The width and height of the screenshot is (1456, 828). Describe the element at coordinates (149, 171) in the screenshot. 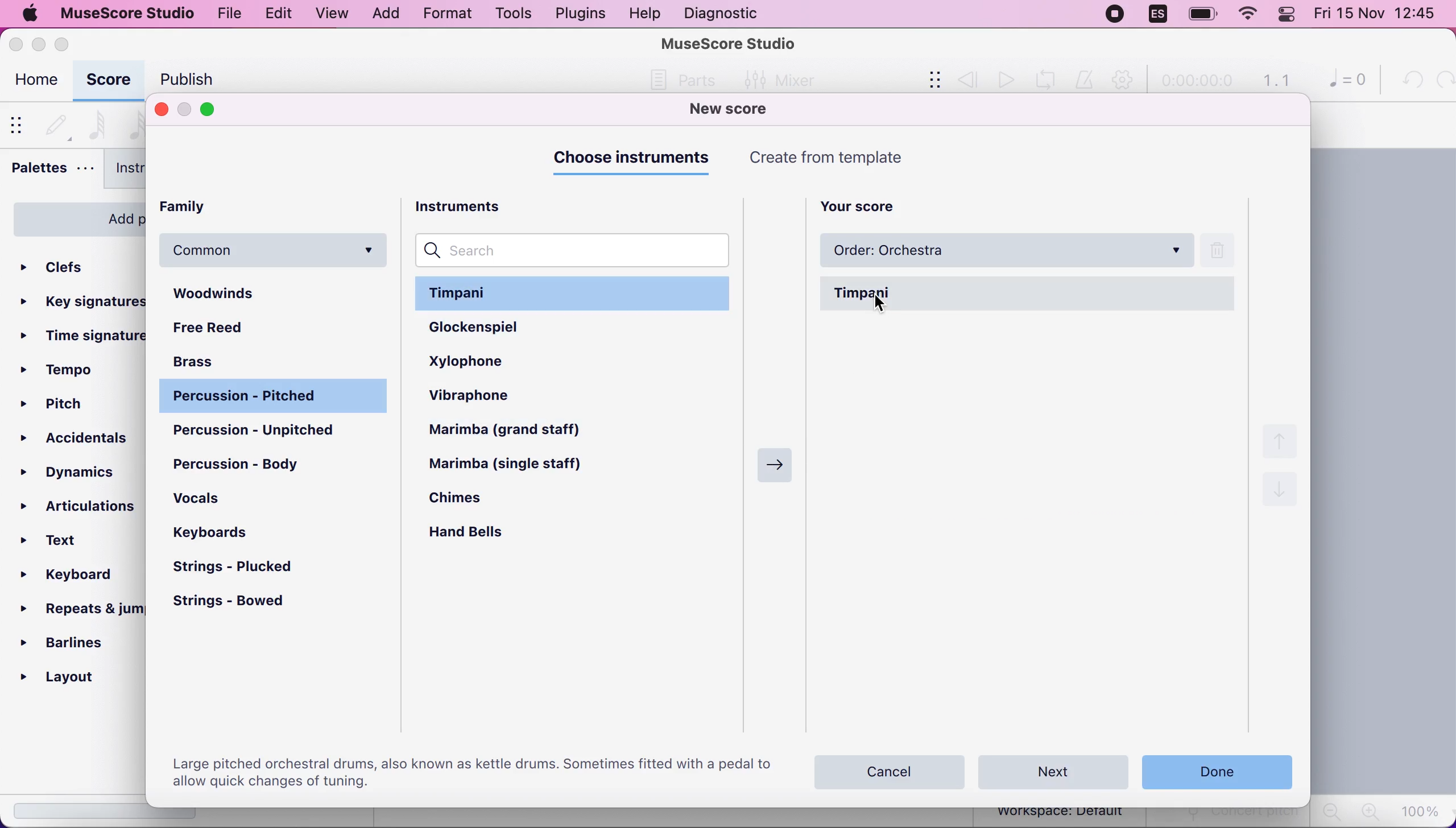

I see `instruments` at that location.